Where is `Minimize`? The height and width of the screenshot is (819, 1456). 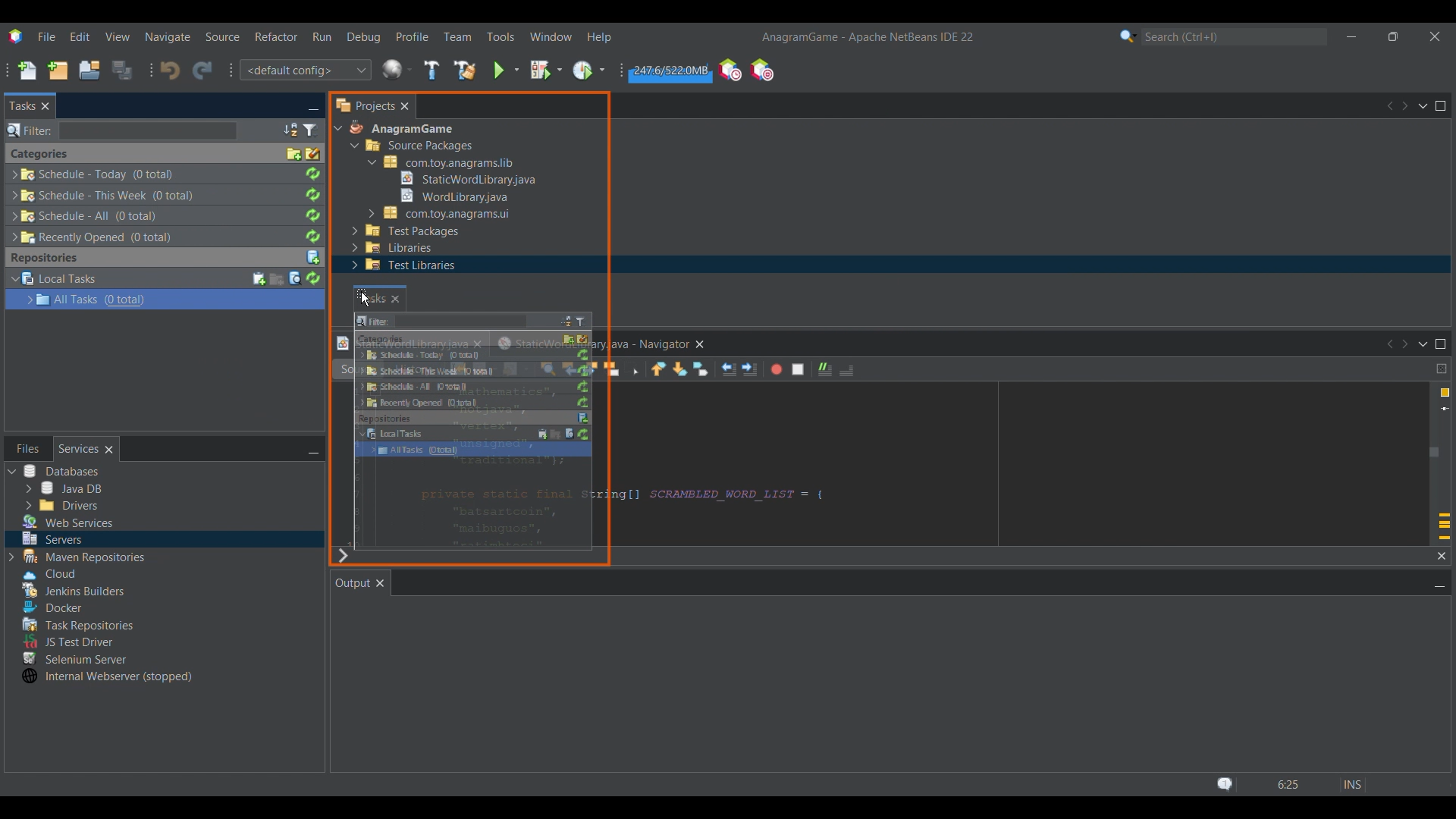 Minimize is located at coordinates (1439, 585).